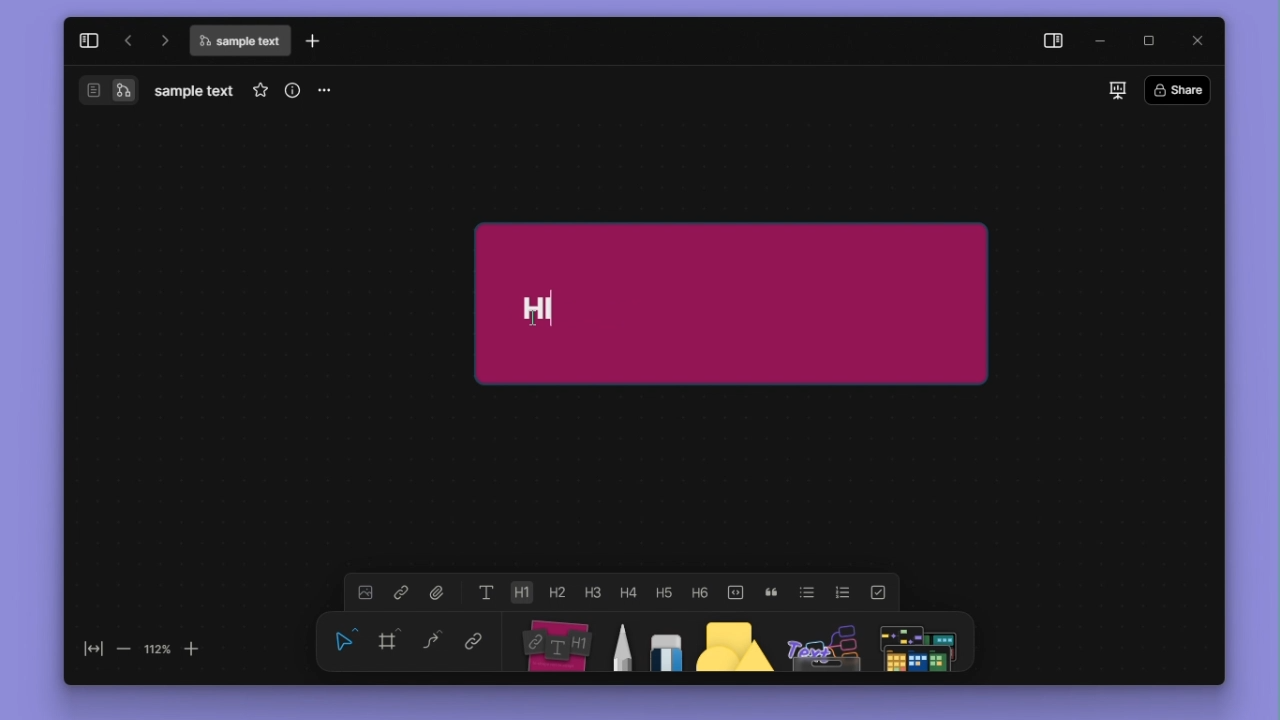 The height and width of the screenshot is (720, 1280). I want to click on Heading 2, so click(556, 592).